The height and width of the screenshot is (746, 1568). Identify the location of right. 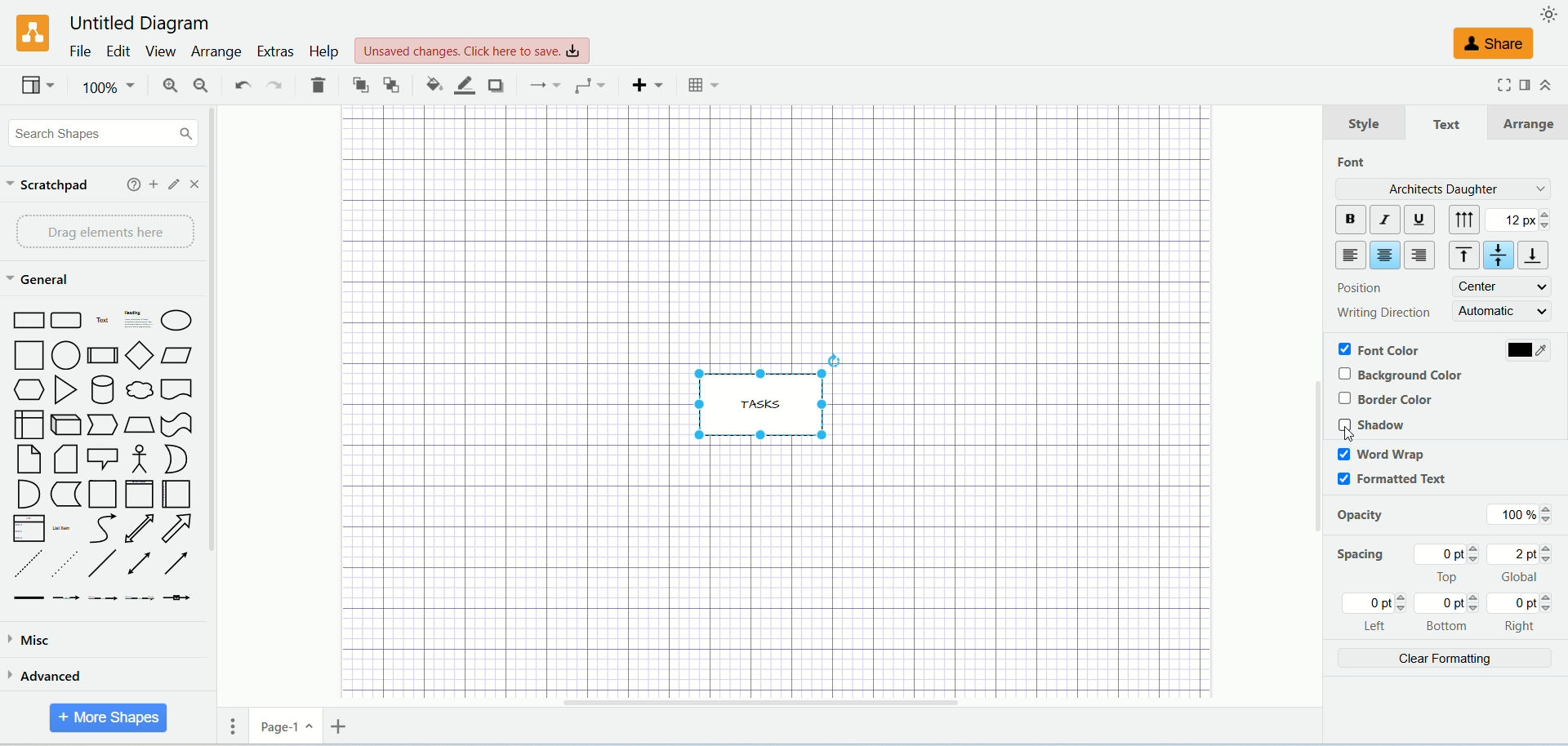
(1522, 613).